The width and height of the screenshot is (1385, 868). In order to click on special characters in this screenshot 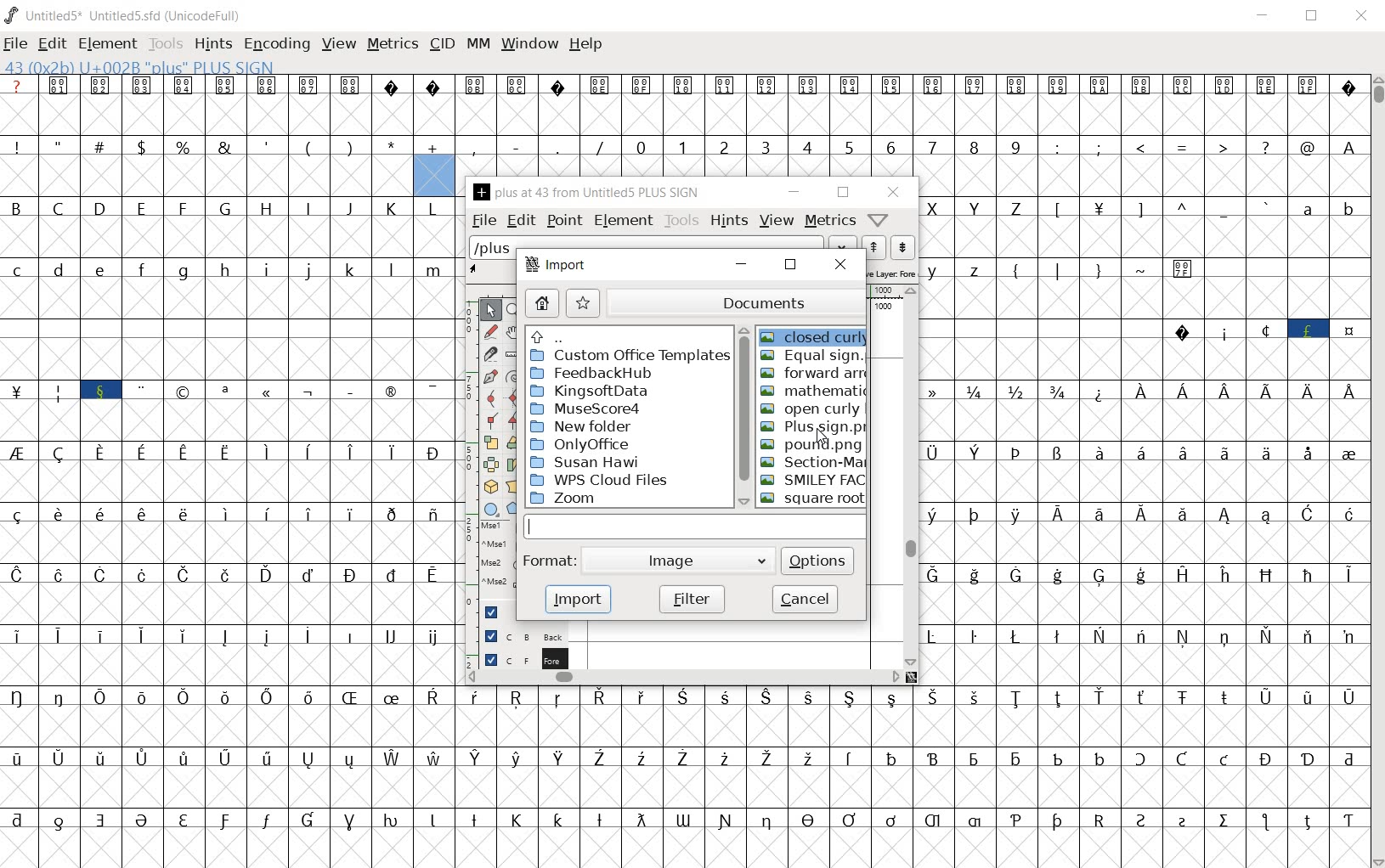, I will do `click(1203, 228)`.